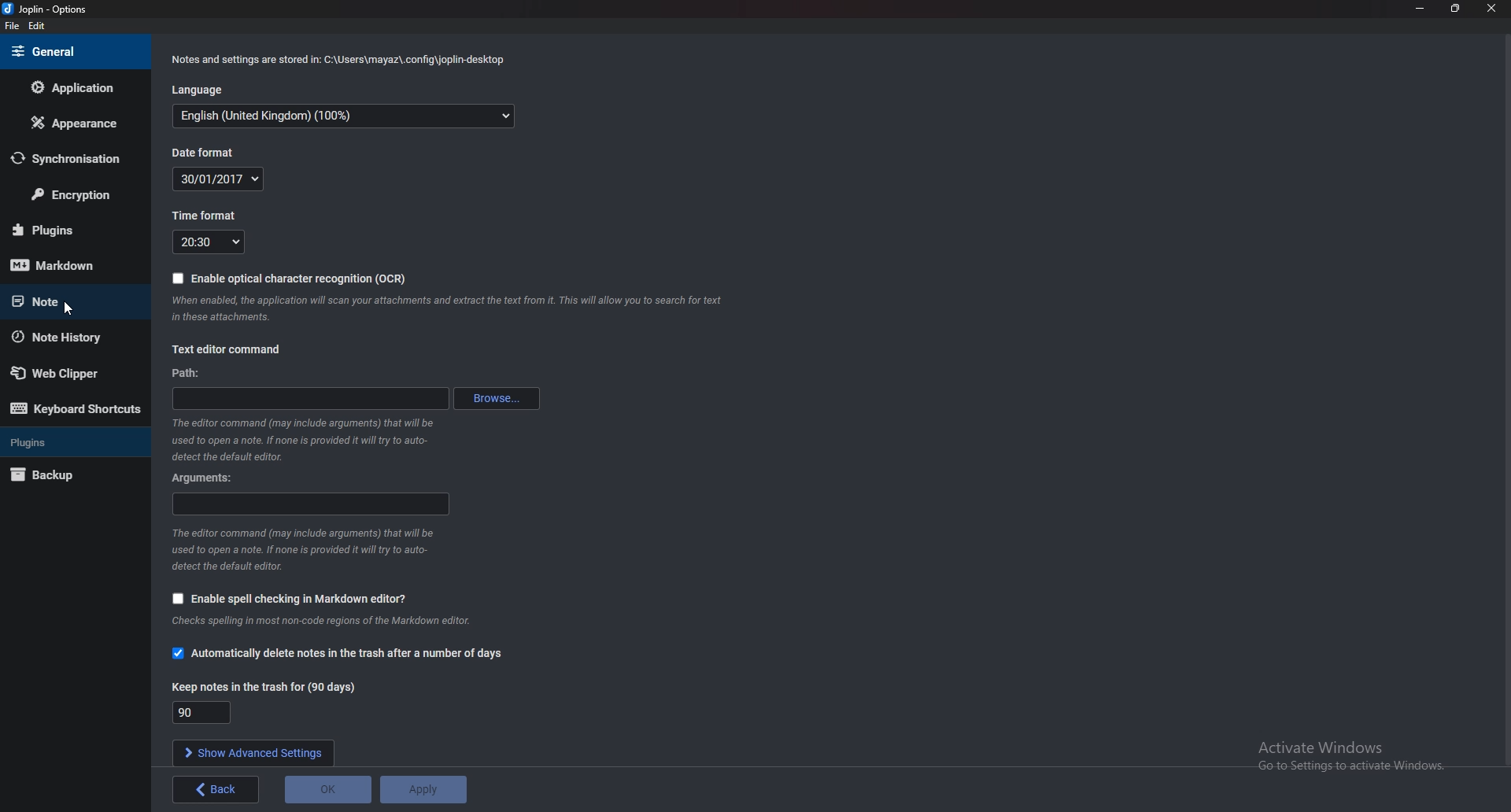  What do you see at coordinates (200, 479) in the screenshot?
I see `arguments` at bounding box center [200, 479].